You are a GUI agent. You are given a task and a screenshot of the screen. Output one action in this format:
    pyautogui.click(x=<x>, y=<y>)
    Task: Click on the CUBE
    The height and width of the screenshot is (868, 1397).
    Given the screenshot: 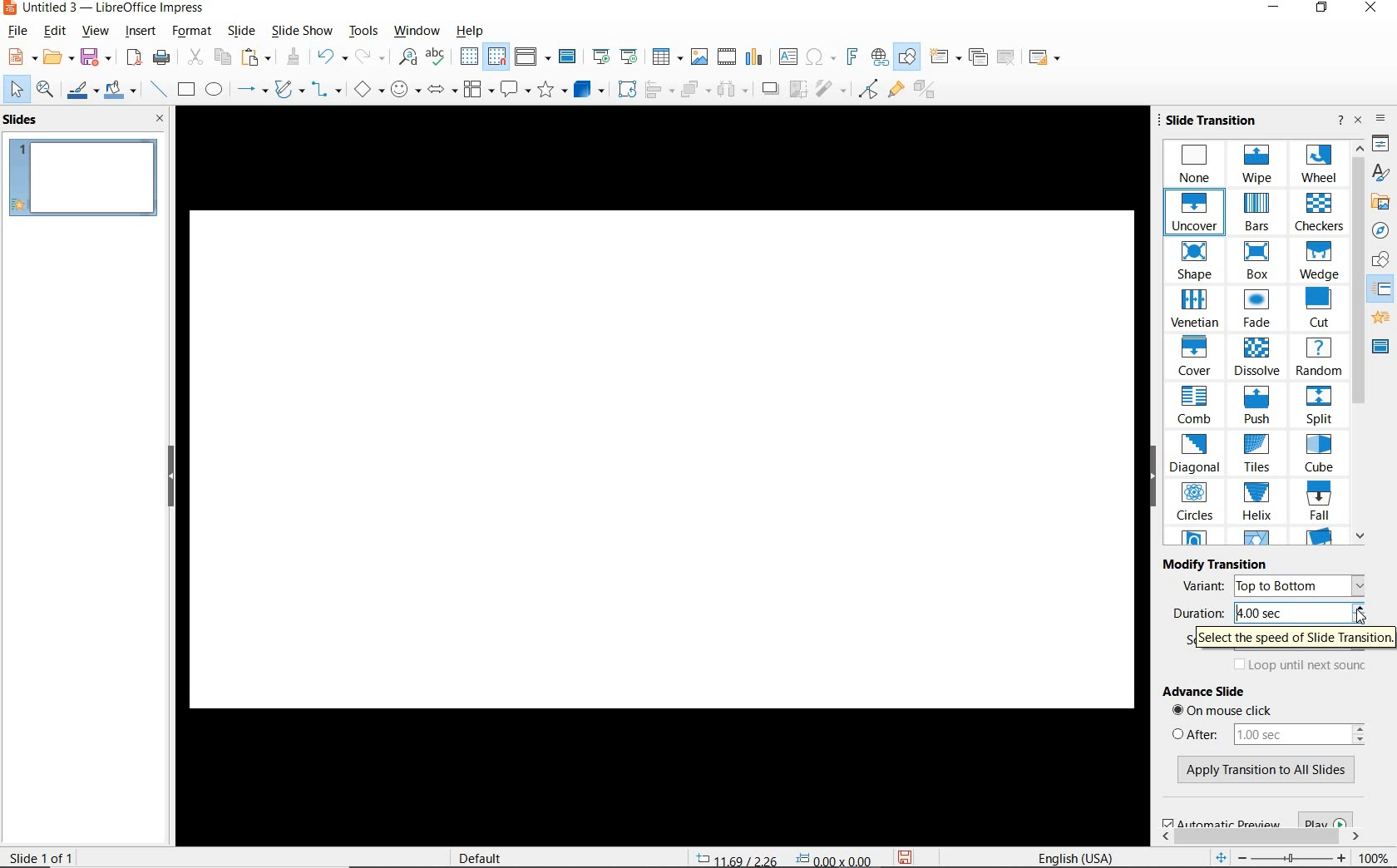 What is the action you would take?
    pyautogui.click(x=1317, y=454)
    